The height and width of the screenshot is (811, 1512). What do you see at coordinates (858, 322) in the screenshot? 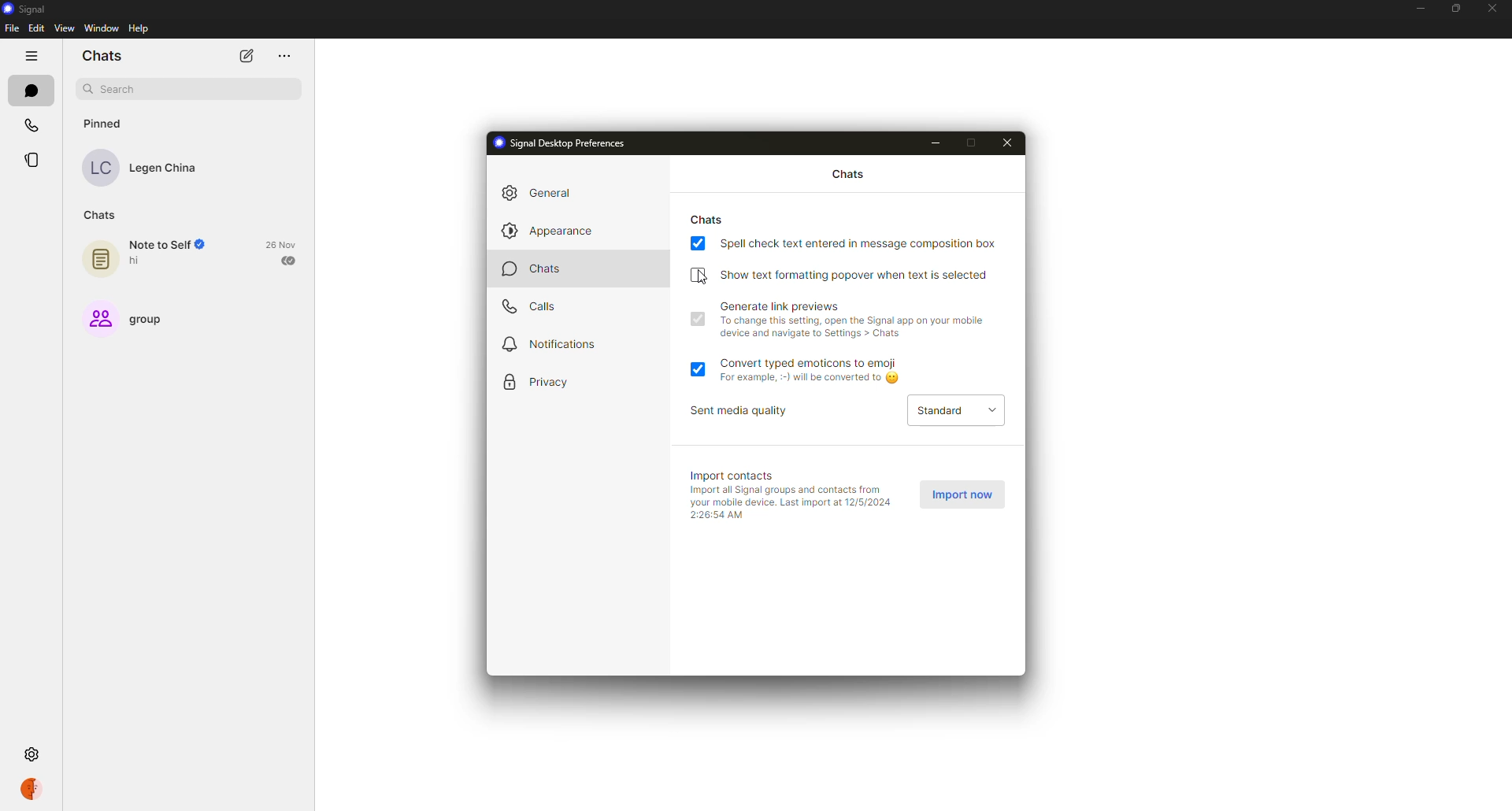
I see `Generate link previews
[Z0  To change this setting, open the Signal app on your mobile
device and navigate to Settings > Chats` at bounding box center [858, 322].